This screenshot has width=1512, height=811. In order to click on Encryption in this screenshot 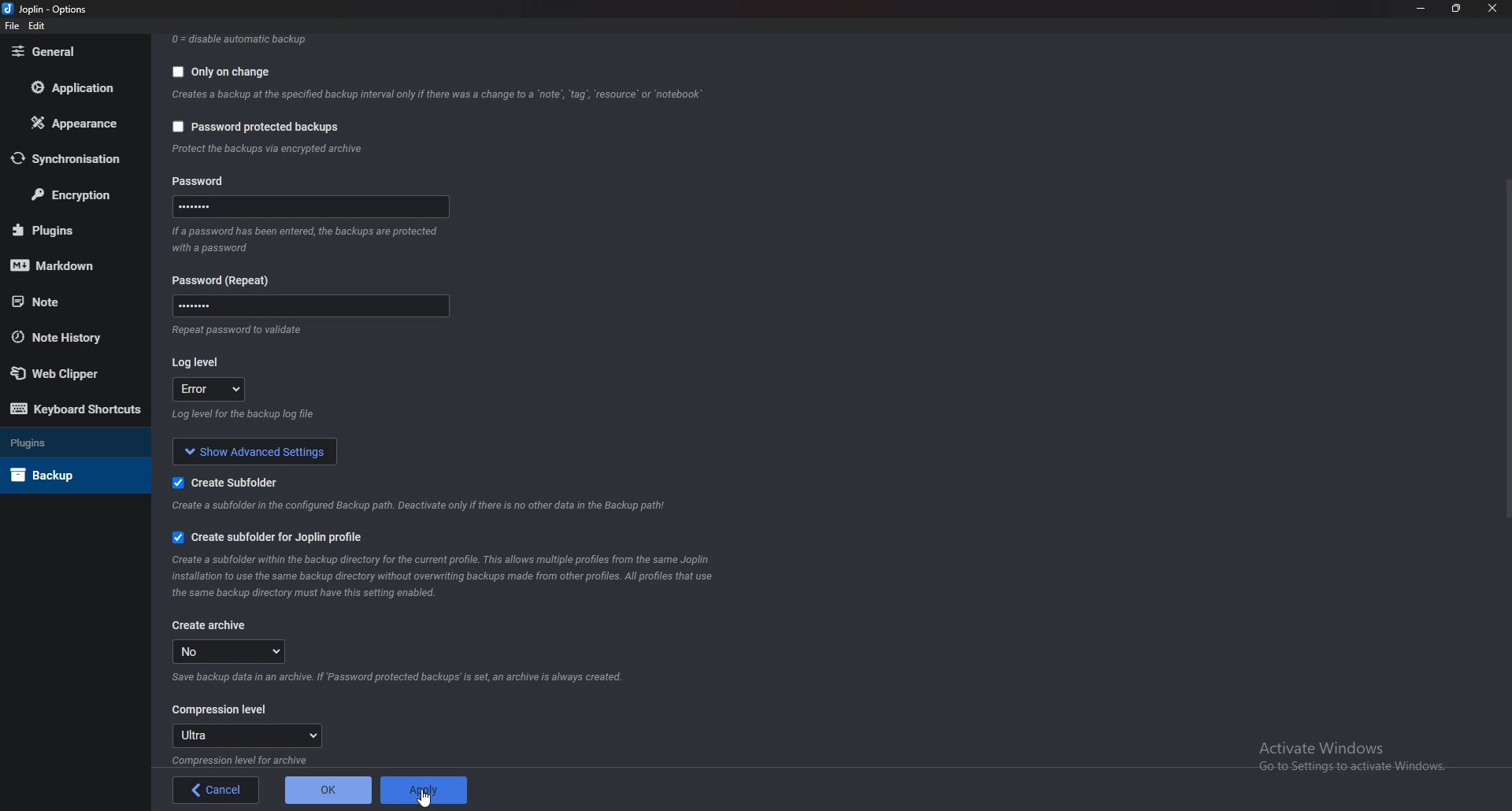, I will do `click(73, 194)`.